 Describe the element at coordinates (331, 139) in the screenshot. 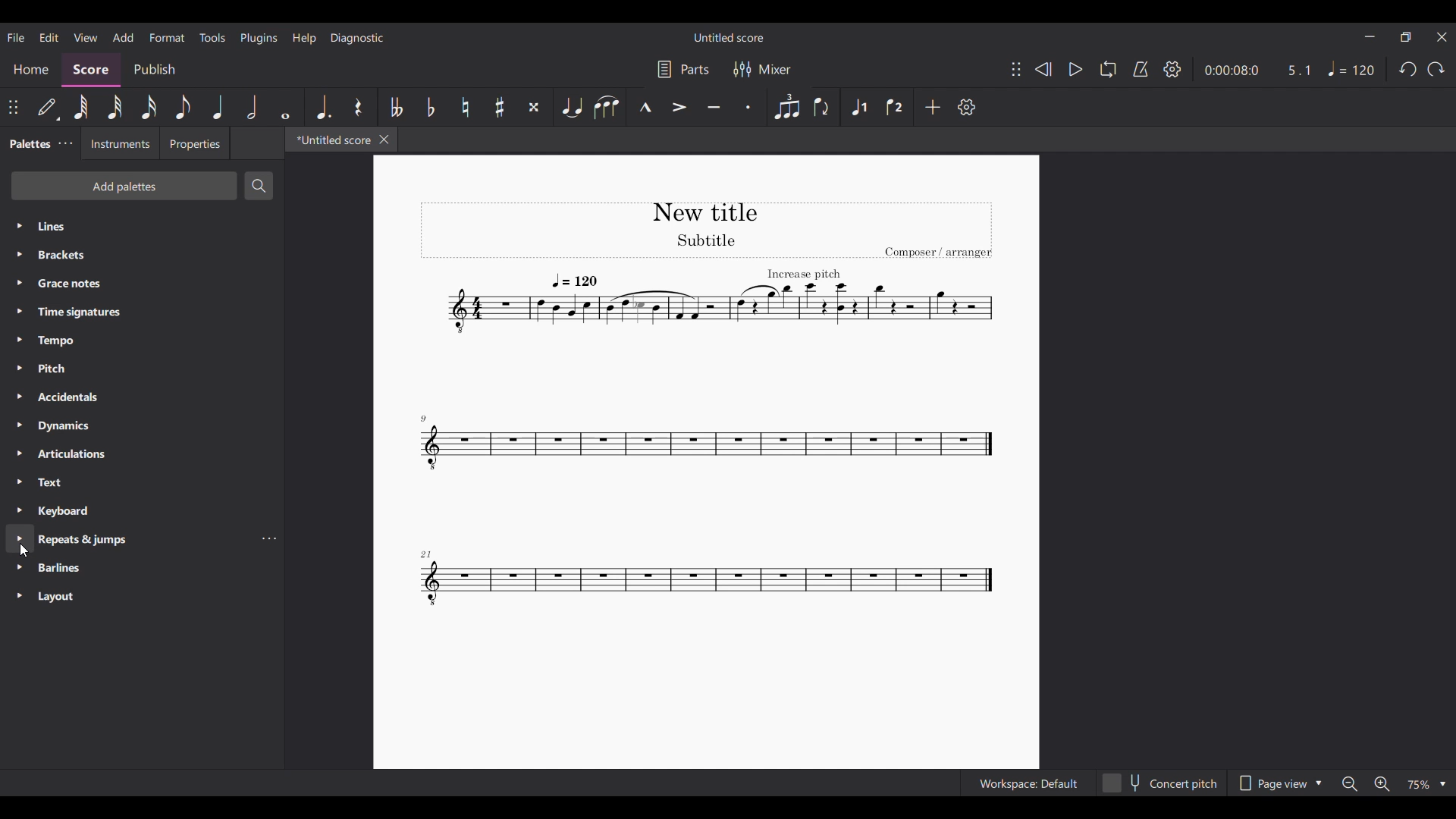

I see `*Untitled score, current tab` at that location.